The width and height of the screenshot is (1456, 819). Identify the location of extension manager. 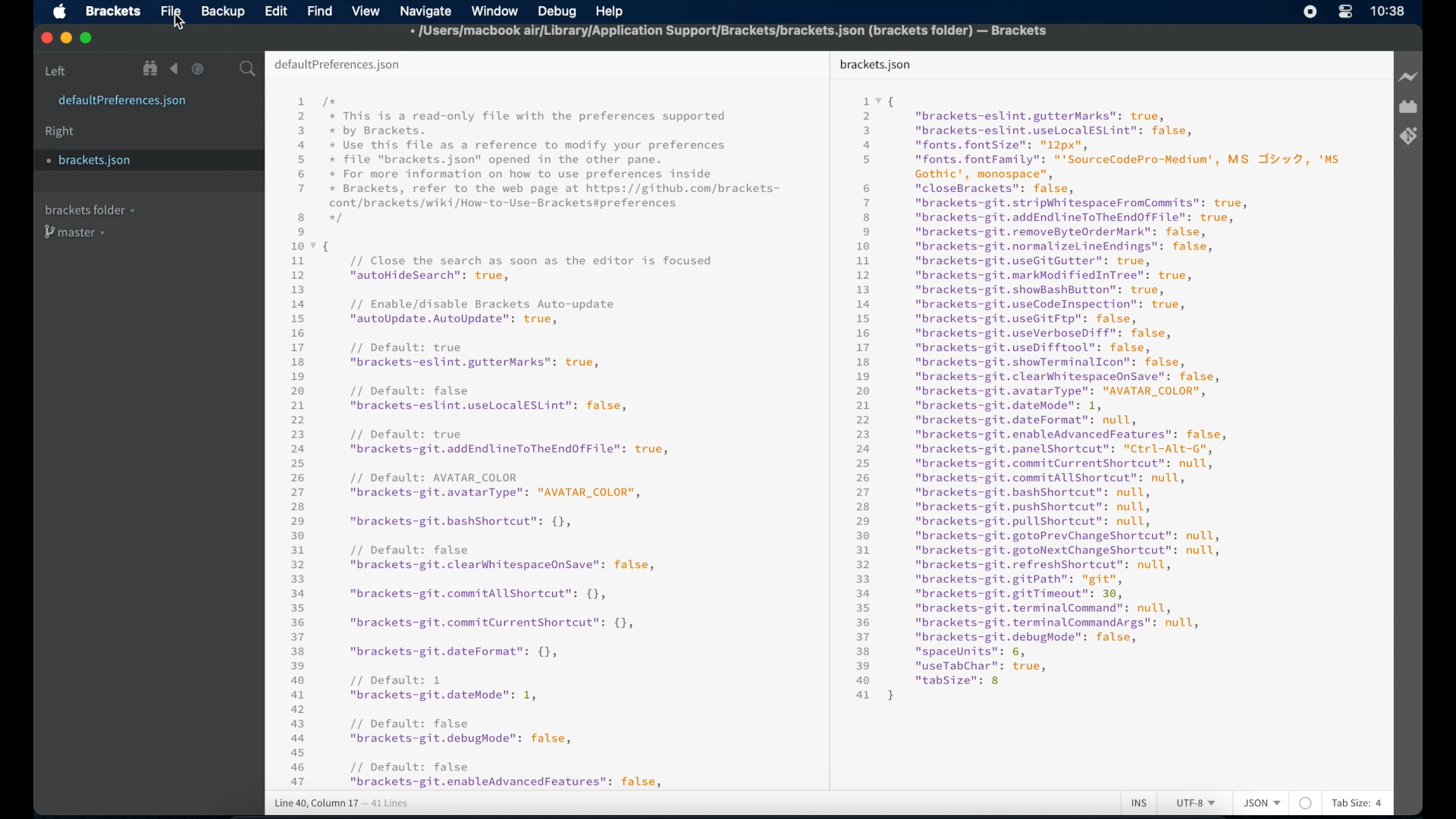
(1408, 107).